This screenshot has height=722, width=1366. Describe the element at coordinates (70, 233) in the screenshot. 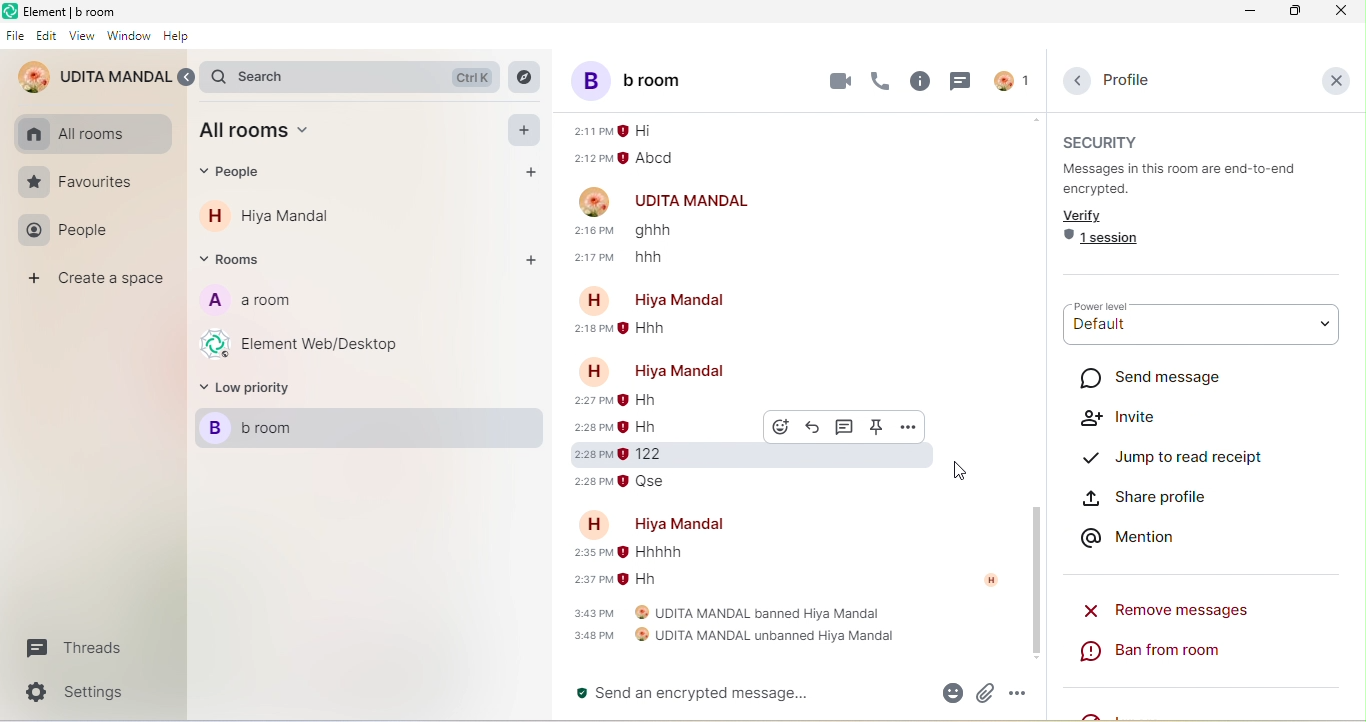

I see `people` at that location.